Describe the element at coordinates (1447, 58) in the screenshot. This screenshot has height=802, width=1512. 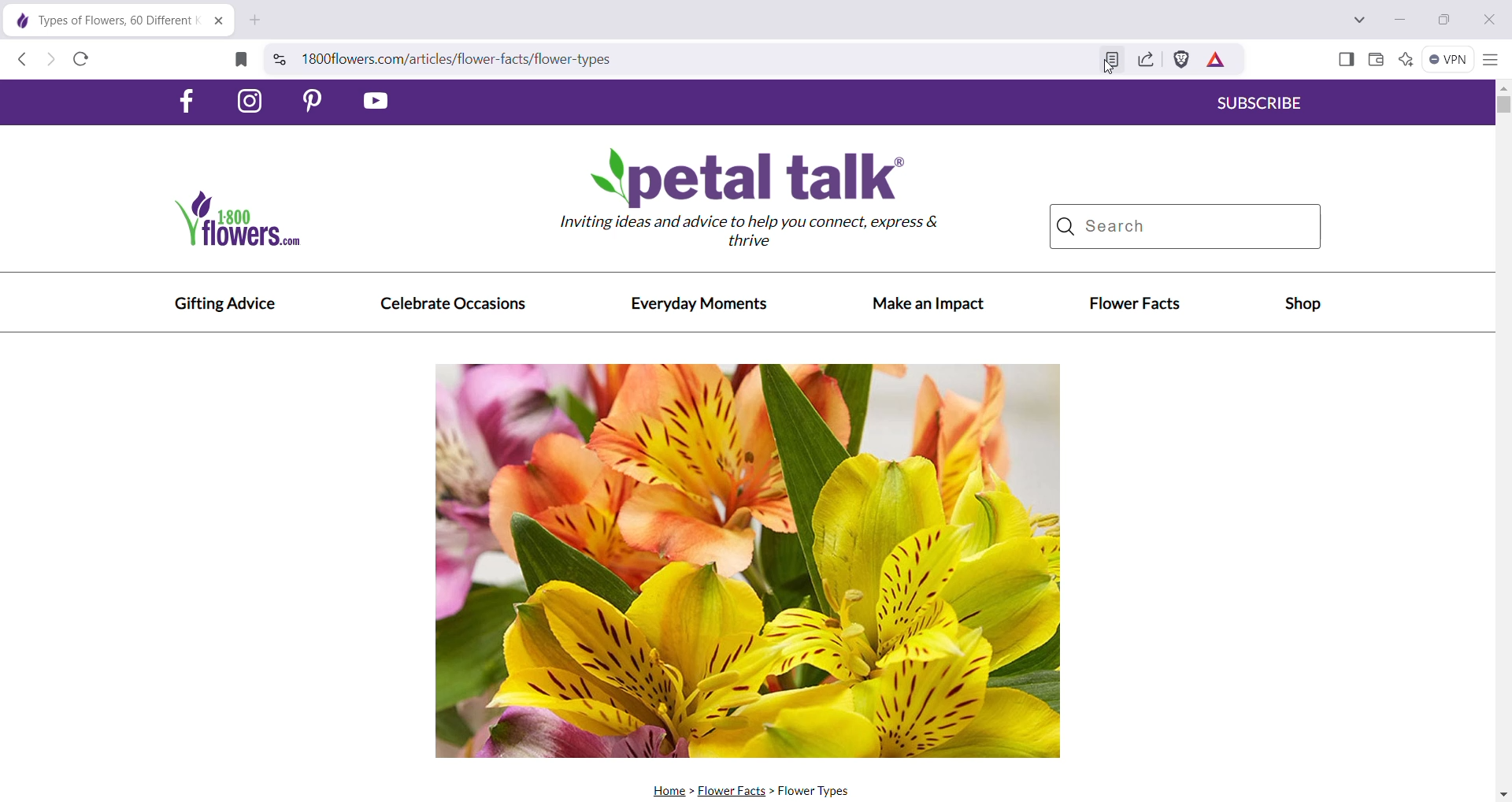
I see `VPN` at that location.